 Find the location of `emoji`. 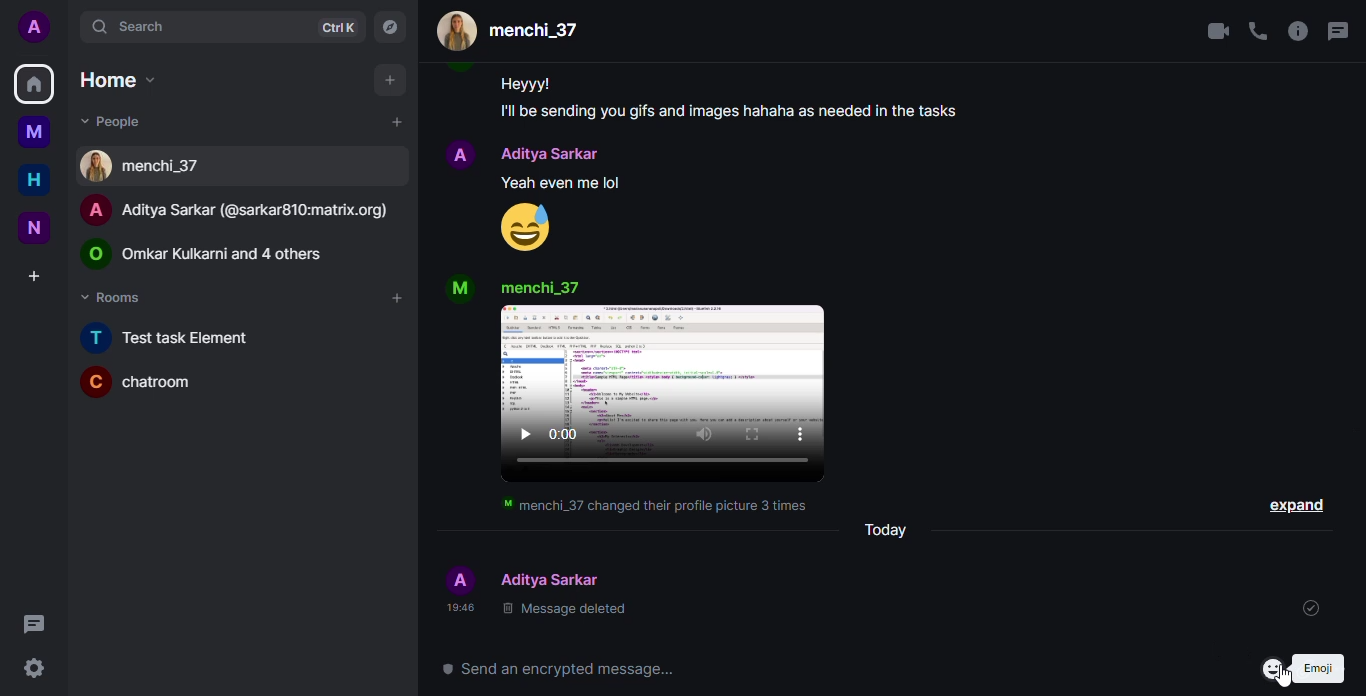

emoji is located at coordinates (1318, 669).